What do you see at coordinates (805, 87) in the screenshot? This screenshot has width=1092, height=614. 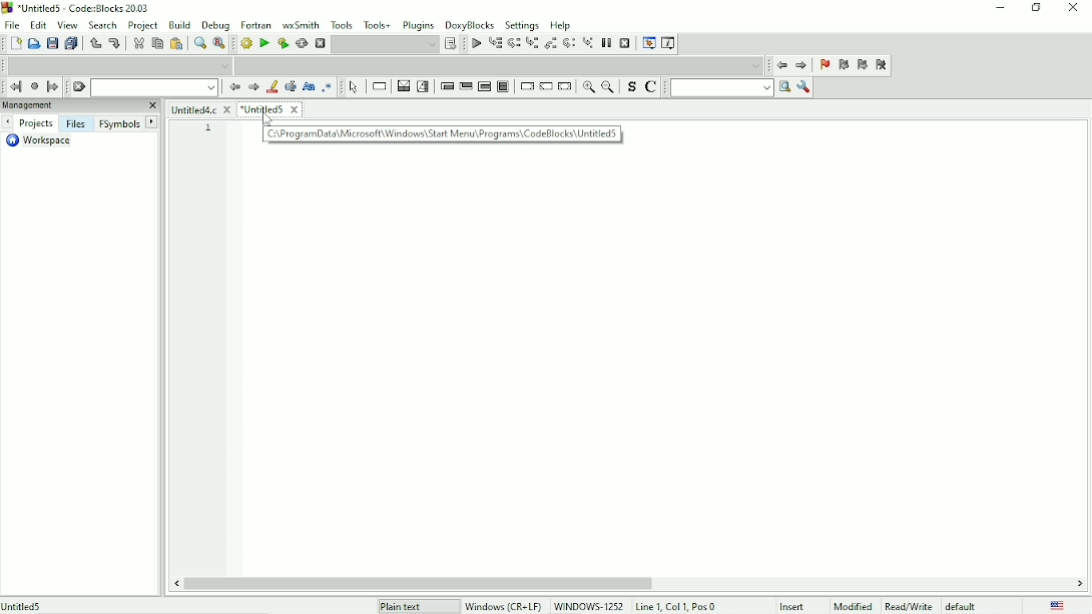 I see `Show options window` at bounding box center [805, 87].